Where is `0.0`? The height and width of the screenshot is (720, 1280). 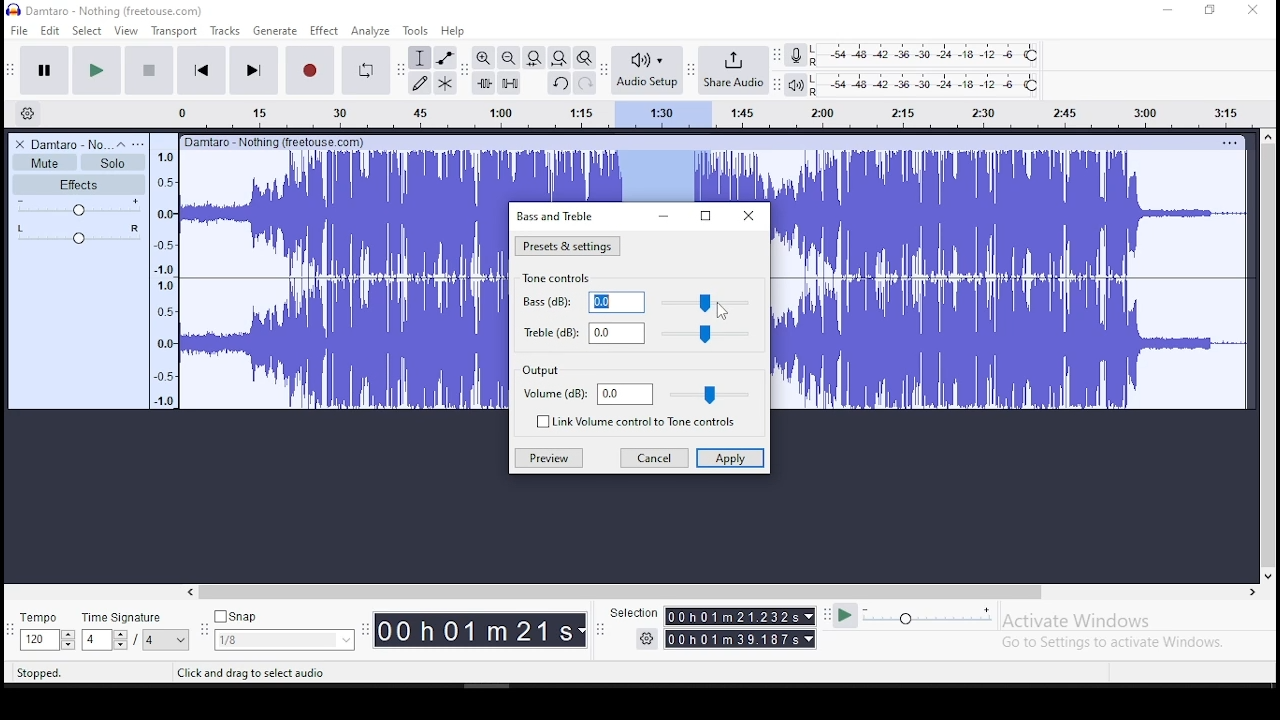 0.0 is located at coordinates (617, 333).